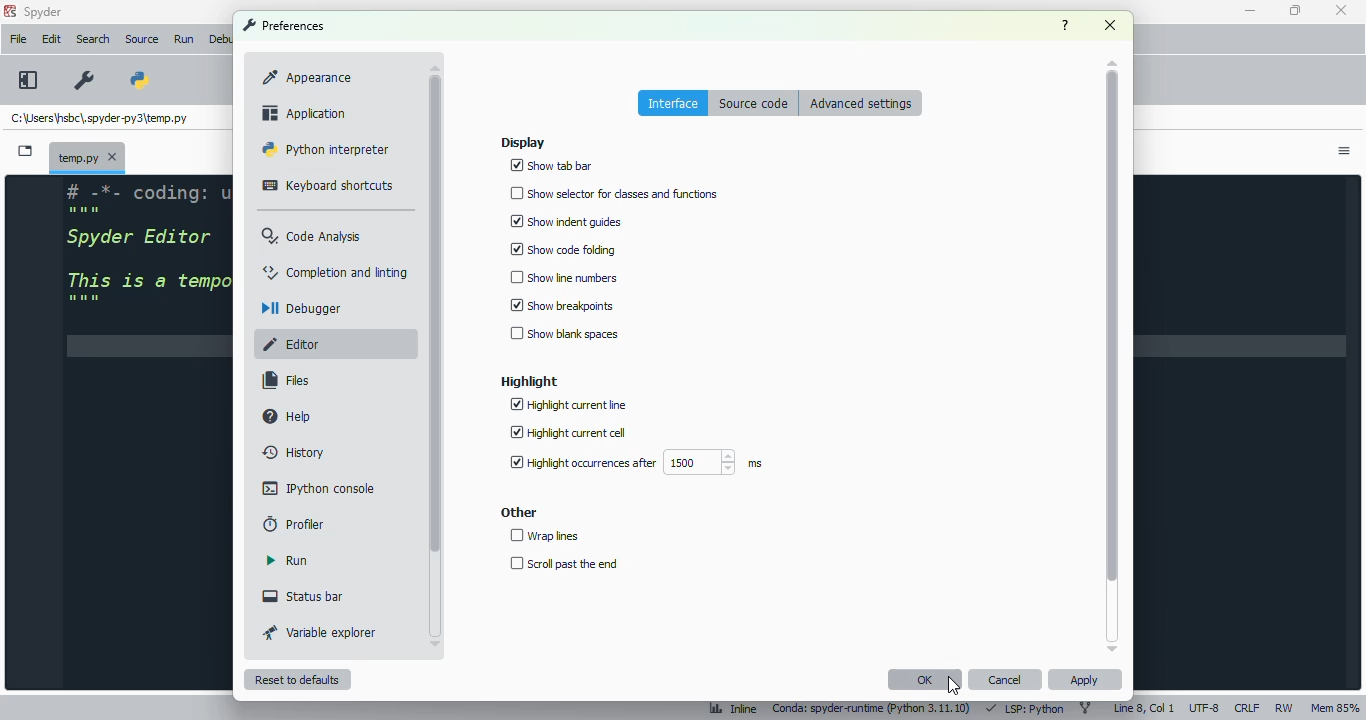 The width and height of the screenshot is (1366, 720). Describe the element at coordinates (289, 417) in the screenshot. I see `help` at that location.